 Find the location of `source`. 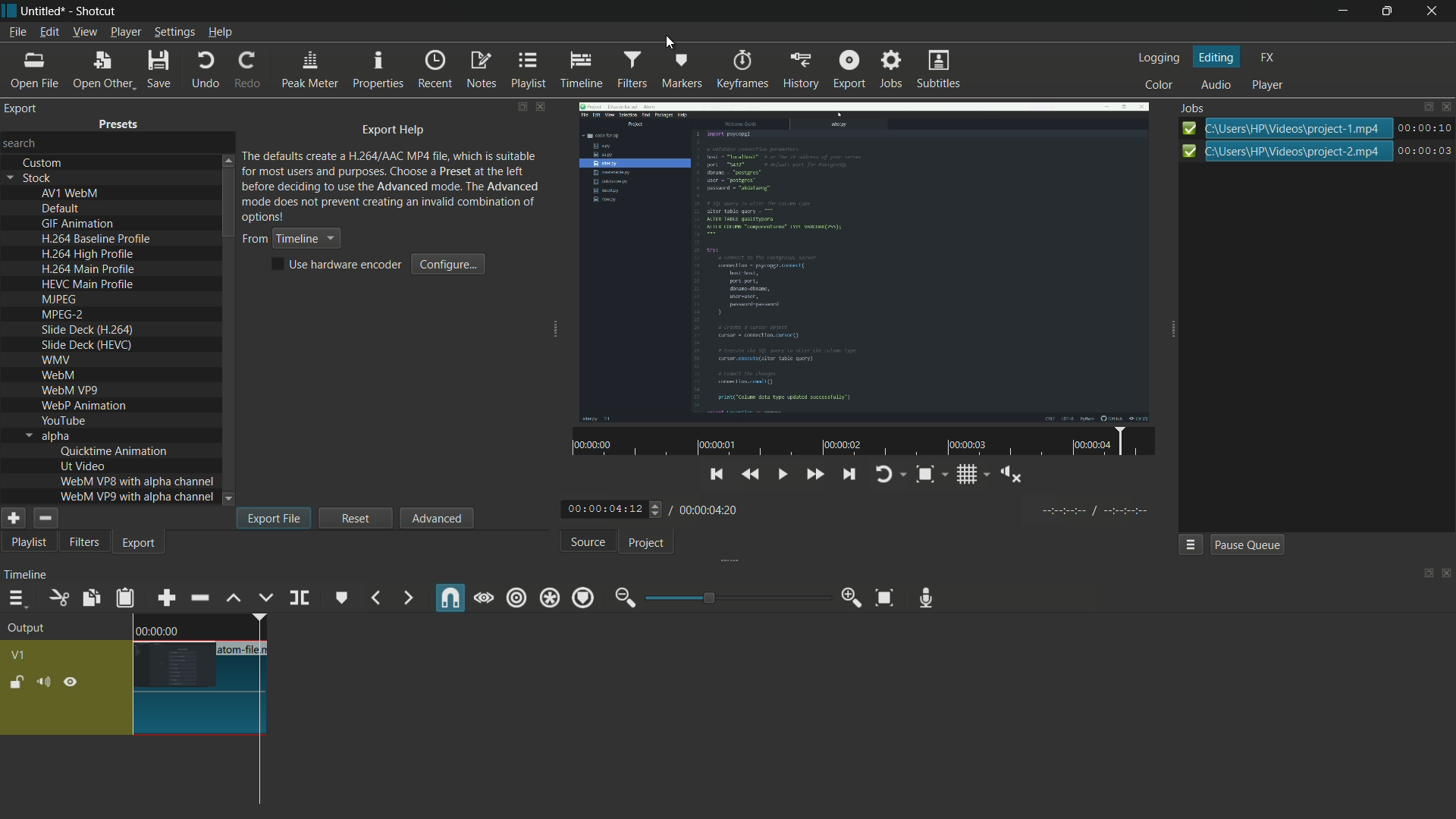

source is located at coordinates (588, 543).